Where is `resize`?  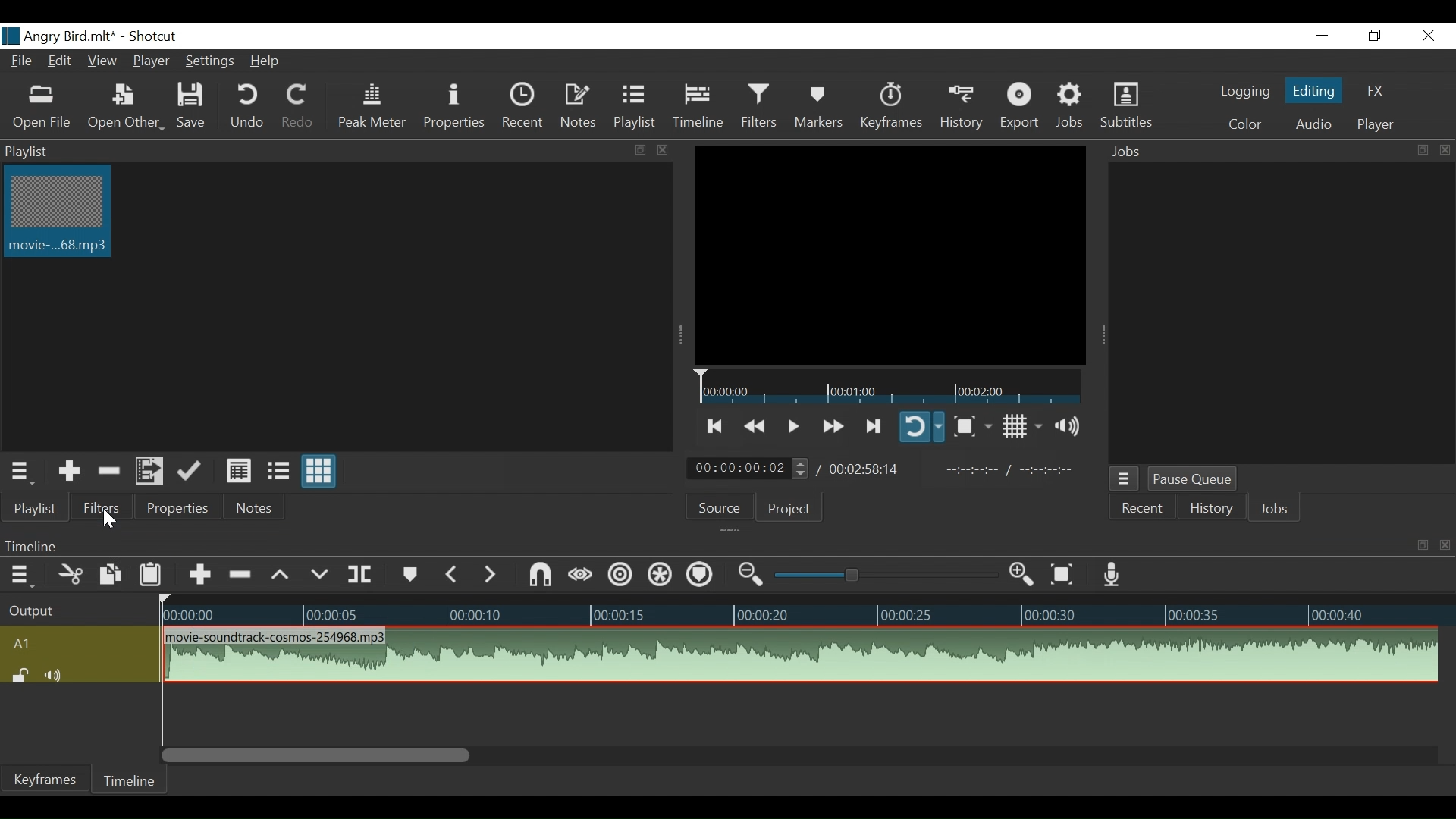 resize is located at coordinates (639, 150).